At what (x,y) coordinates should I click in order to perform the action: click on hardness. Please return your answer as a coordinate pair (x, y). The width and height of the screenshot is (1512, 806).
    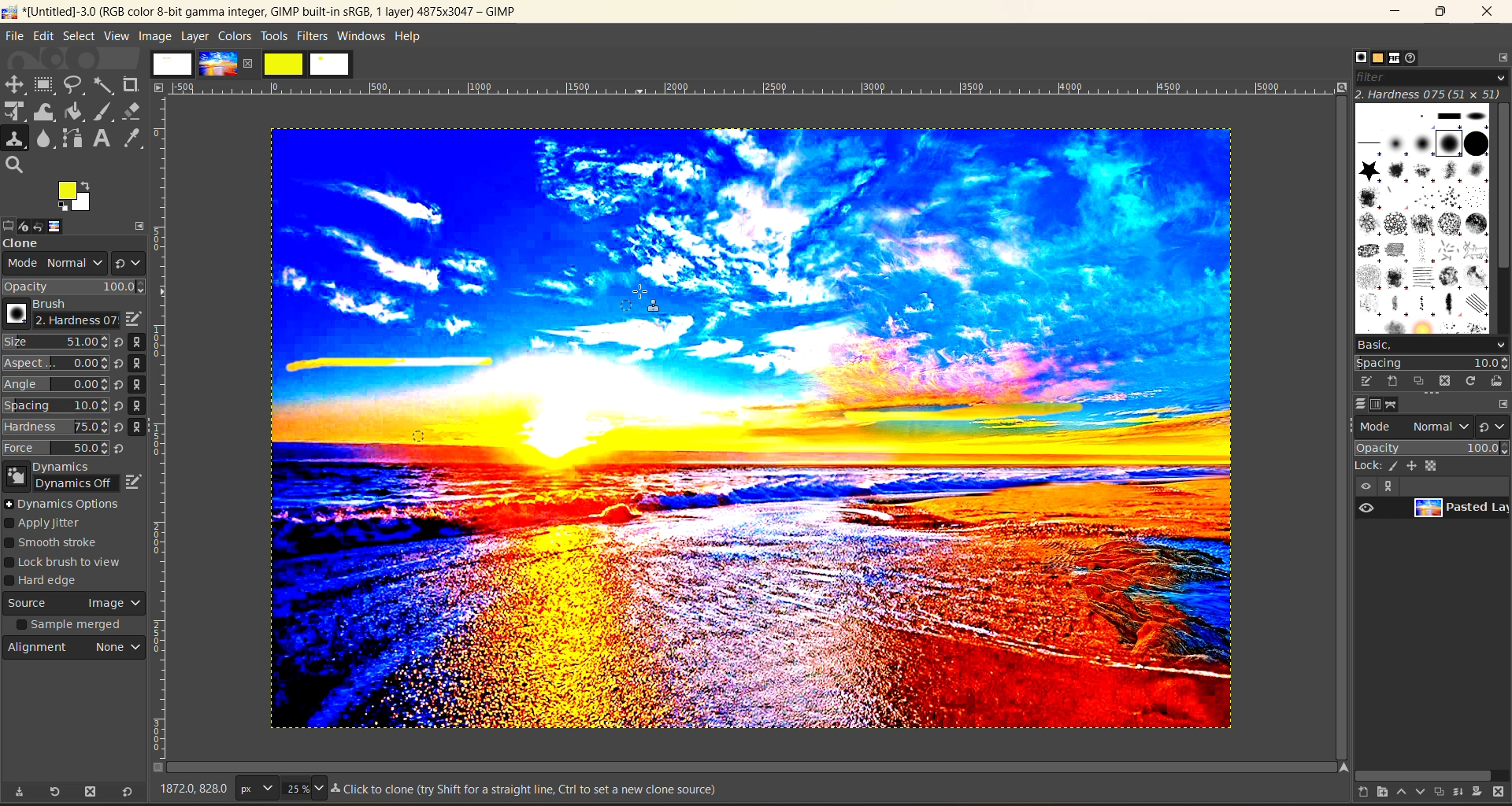
    Looking at the image, I should click on (1429, 94).